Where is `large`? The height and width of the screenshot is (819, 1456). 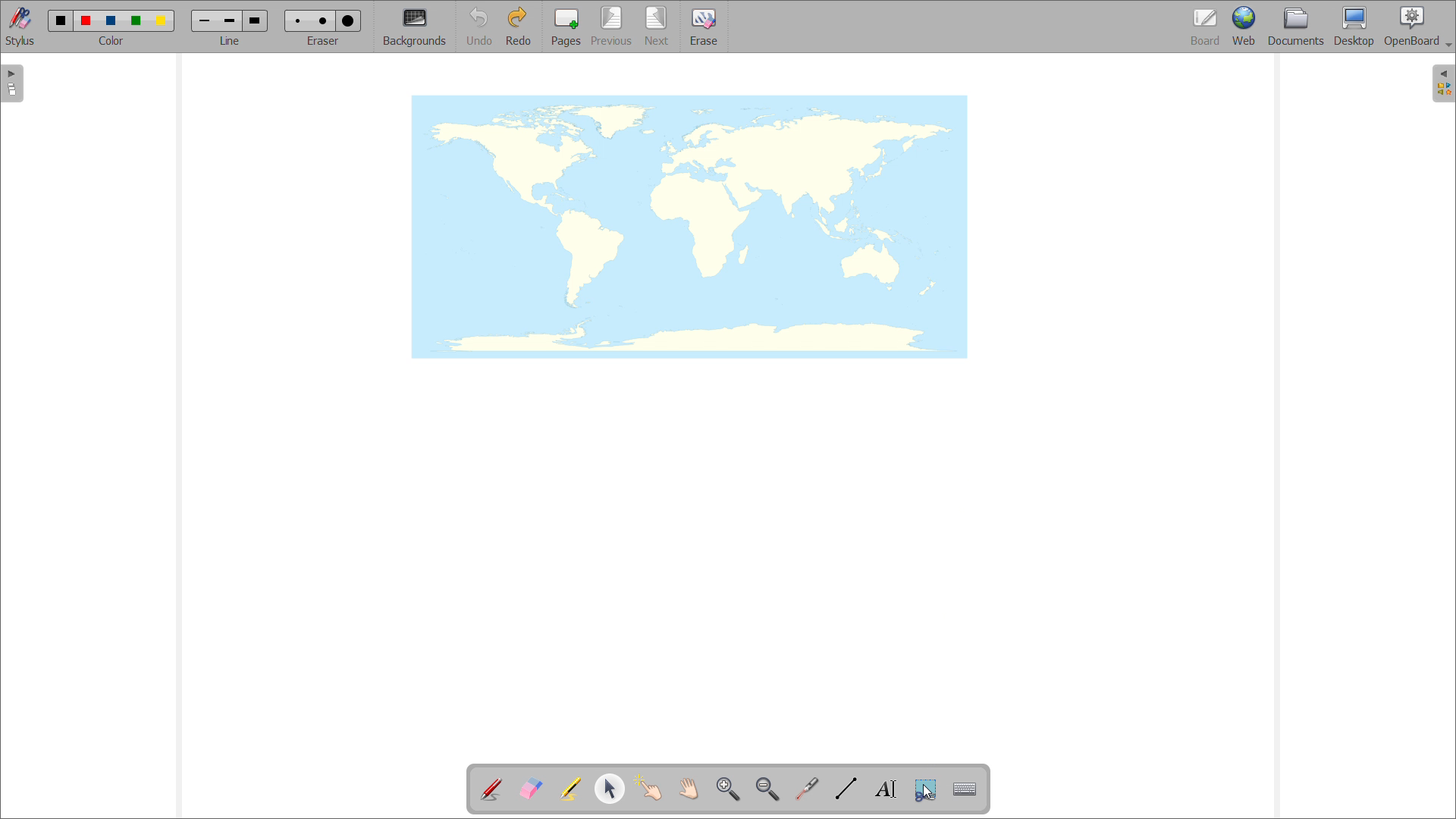 large is located at coordinates (347, 21).